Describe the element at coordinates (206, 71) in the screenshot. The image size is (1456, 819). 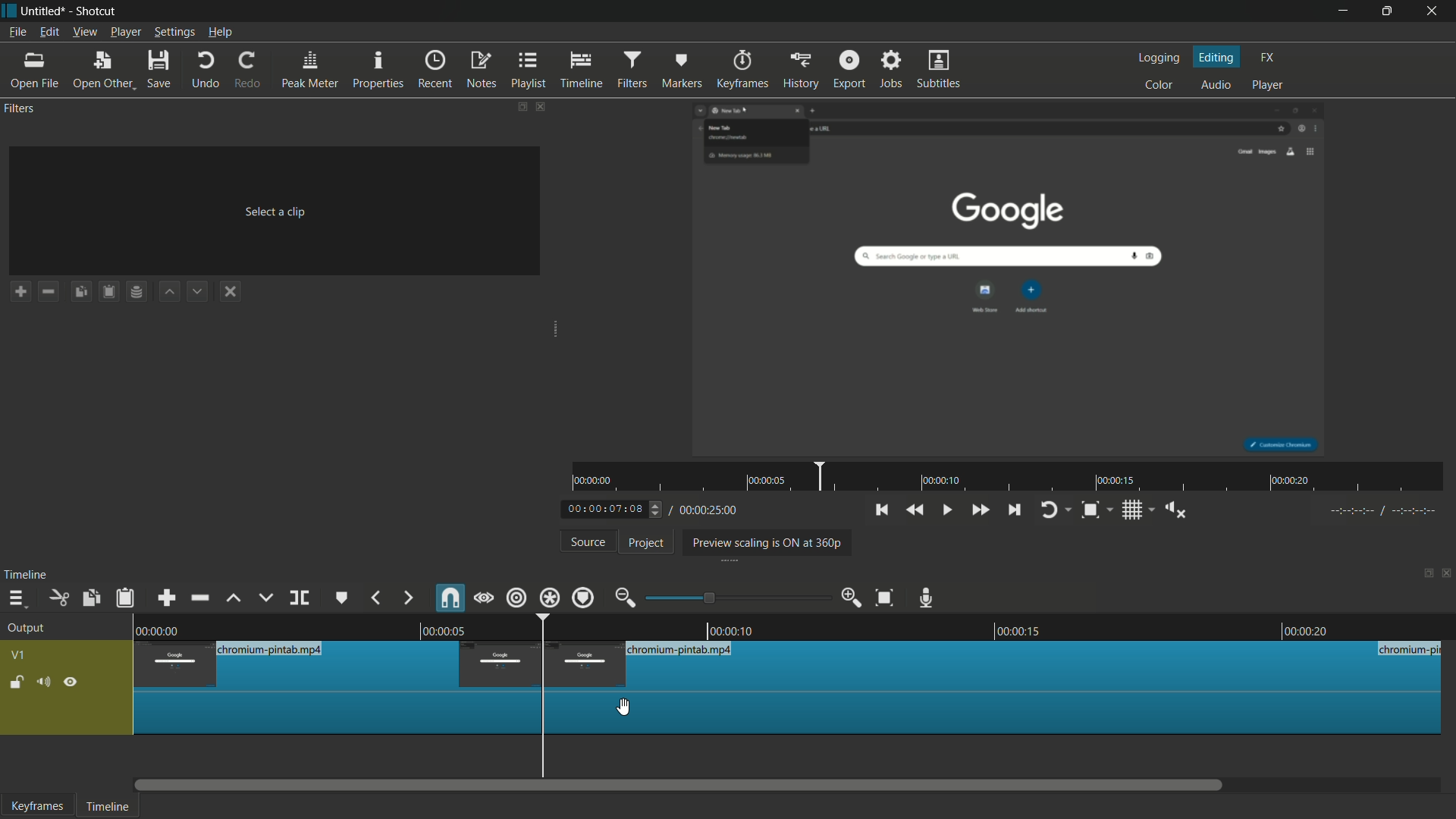
I see `undo` at that location.